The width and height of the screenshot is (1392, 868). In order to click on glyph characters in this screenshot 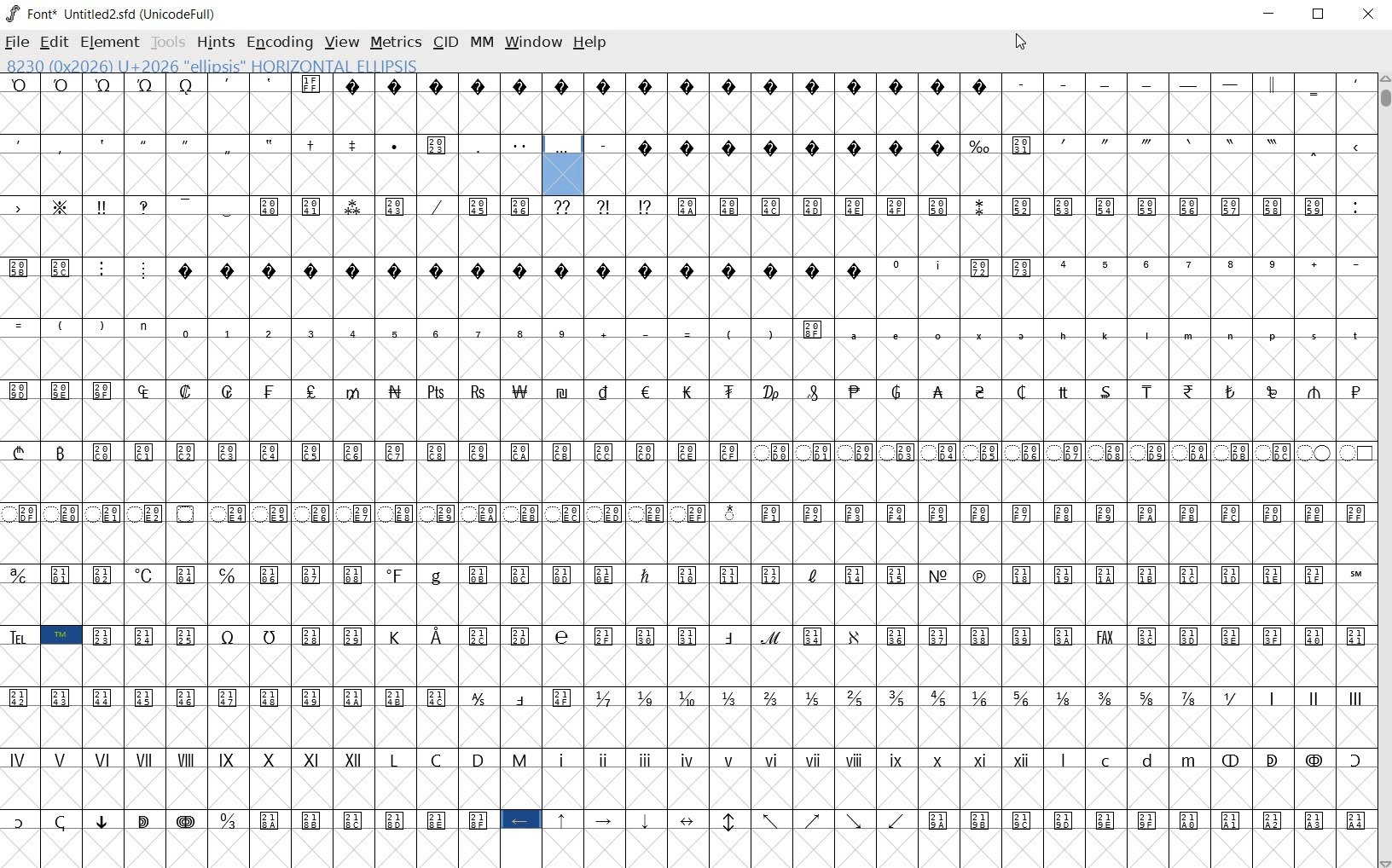, I will do `click(685, 554)`.